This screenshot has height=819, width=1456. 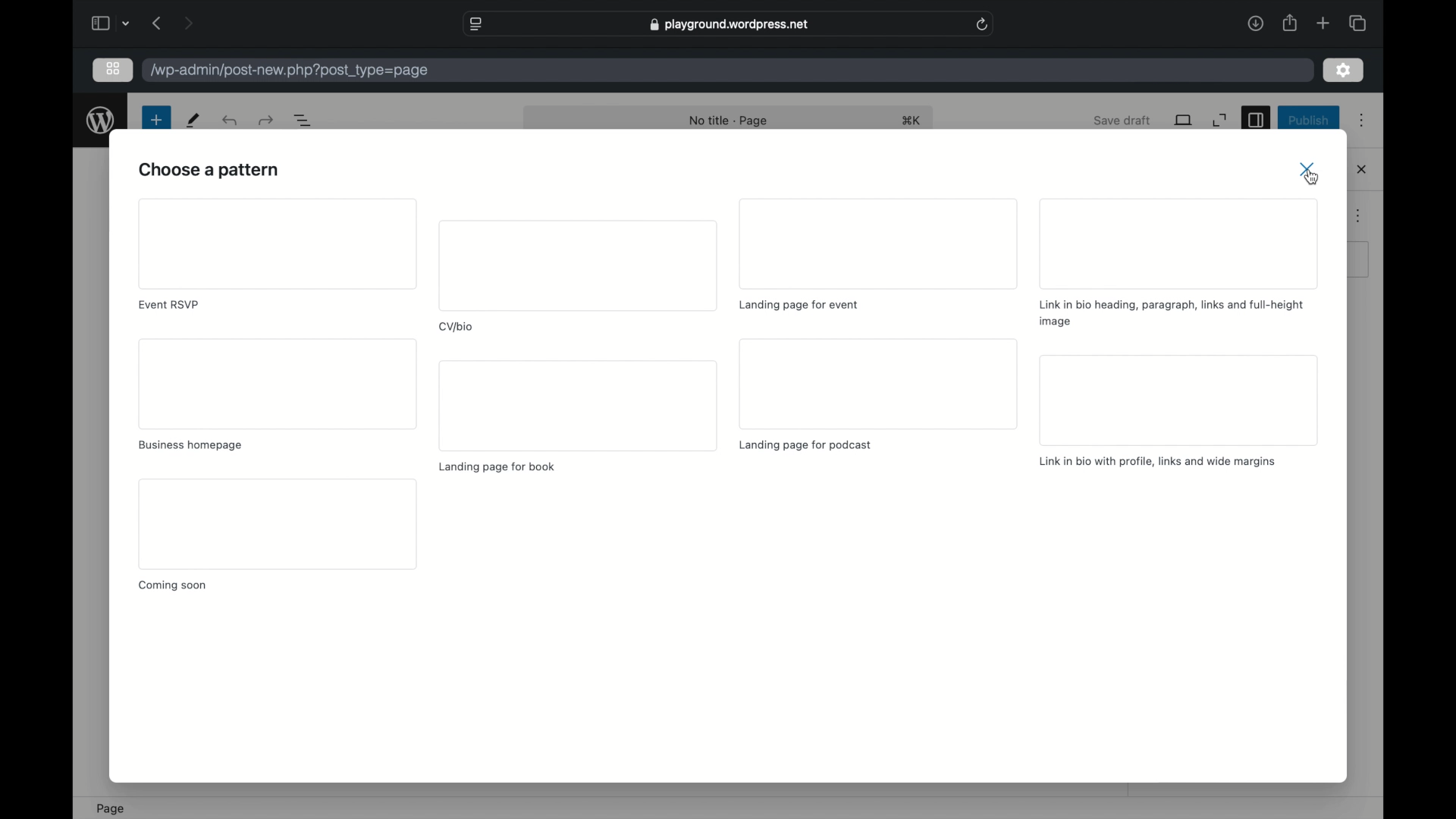 What do you see at coordinates (1324, 24) in the screenshot?
I see `new tab` at bounding box center [1324, 24].